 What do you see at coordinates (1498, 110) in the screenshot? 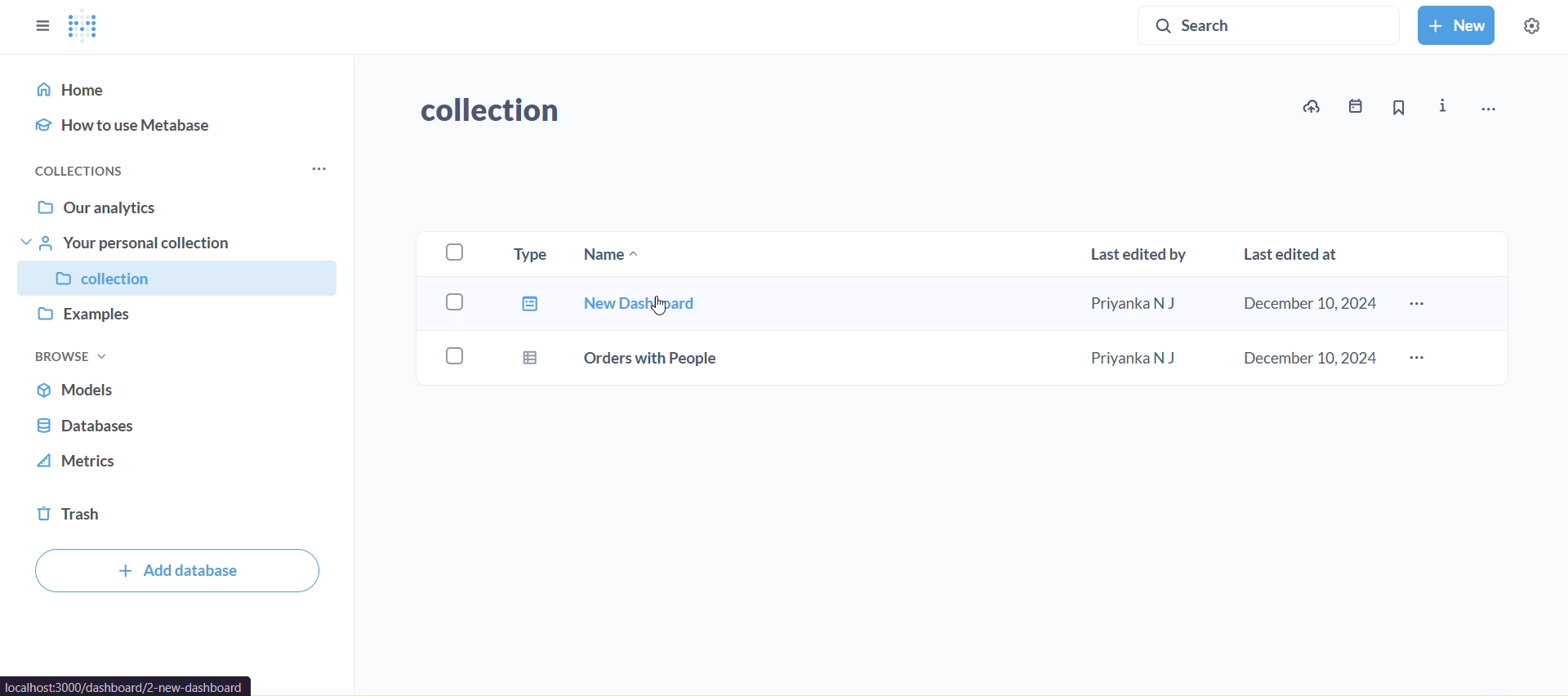
I see `move, trash and more..` at bounding box center [1498, 110].